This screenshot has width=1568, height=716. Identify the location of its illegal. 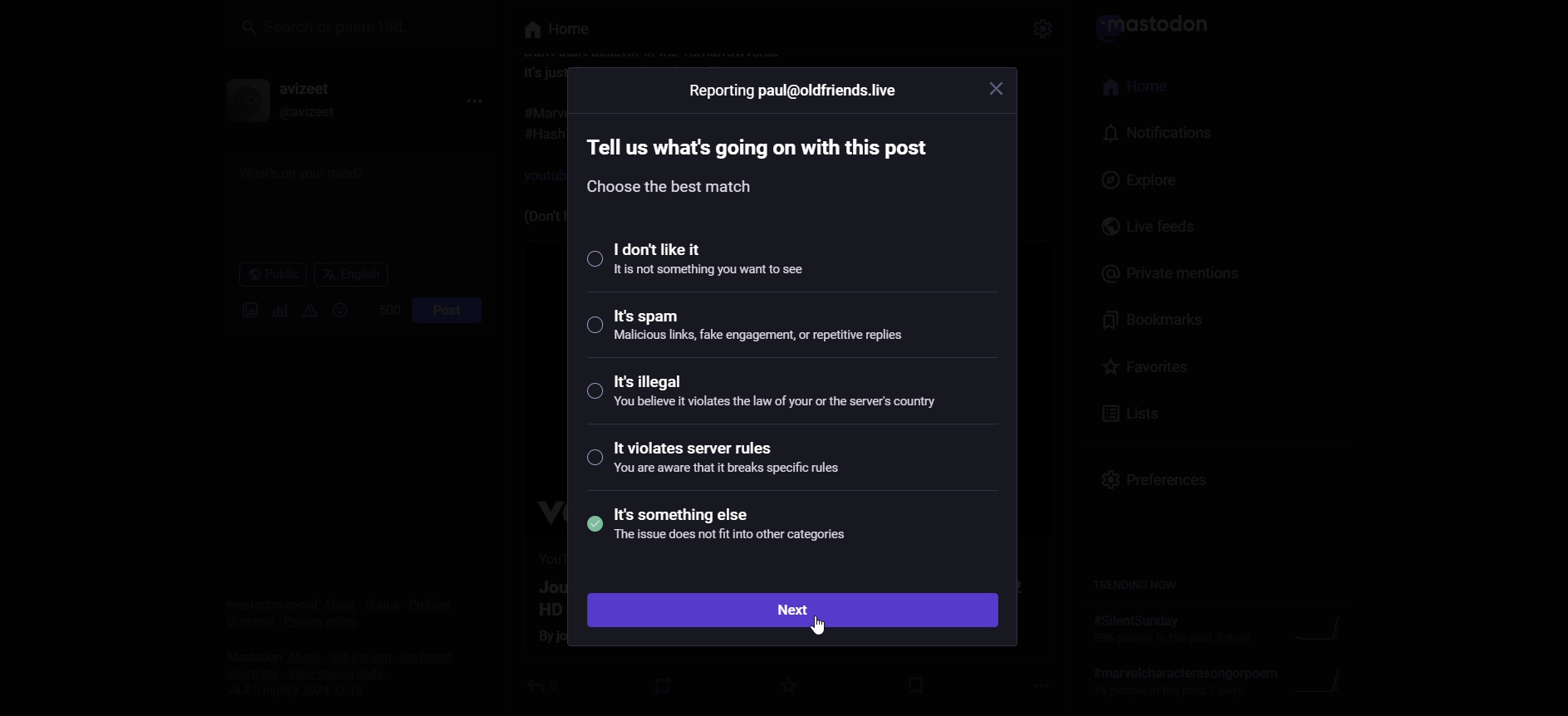
(775, 397).